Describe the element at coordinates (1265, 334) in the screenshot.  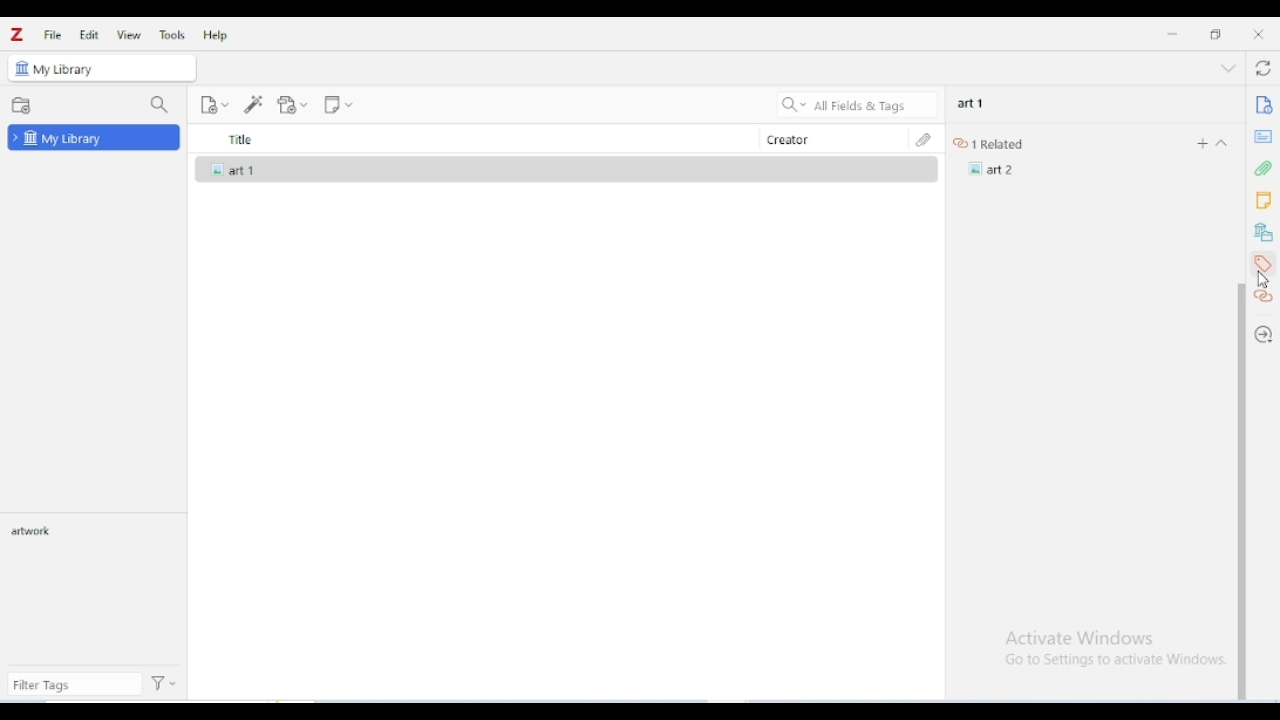
I see `locate` at that location.